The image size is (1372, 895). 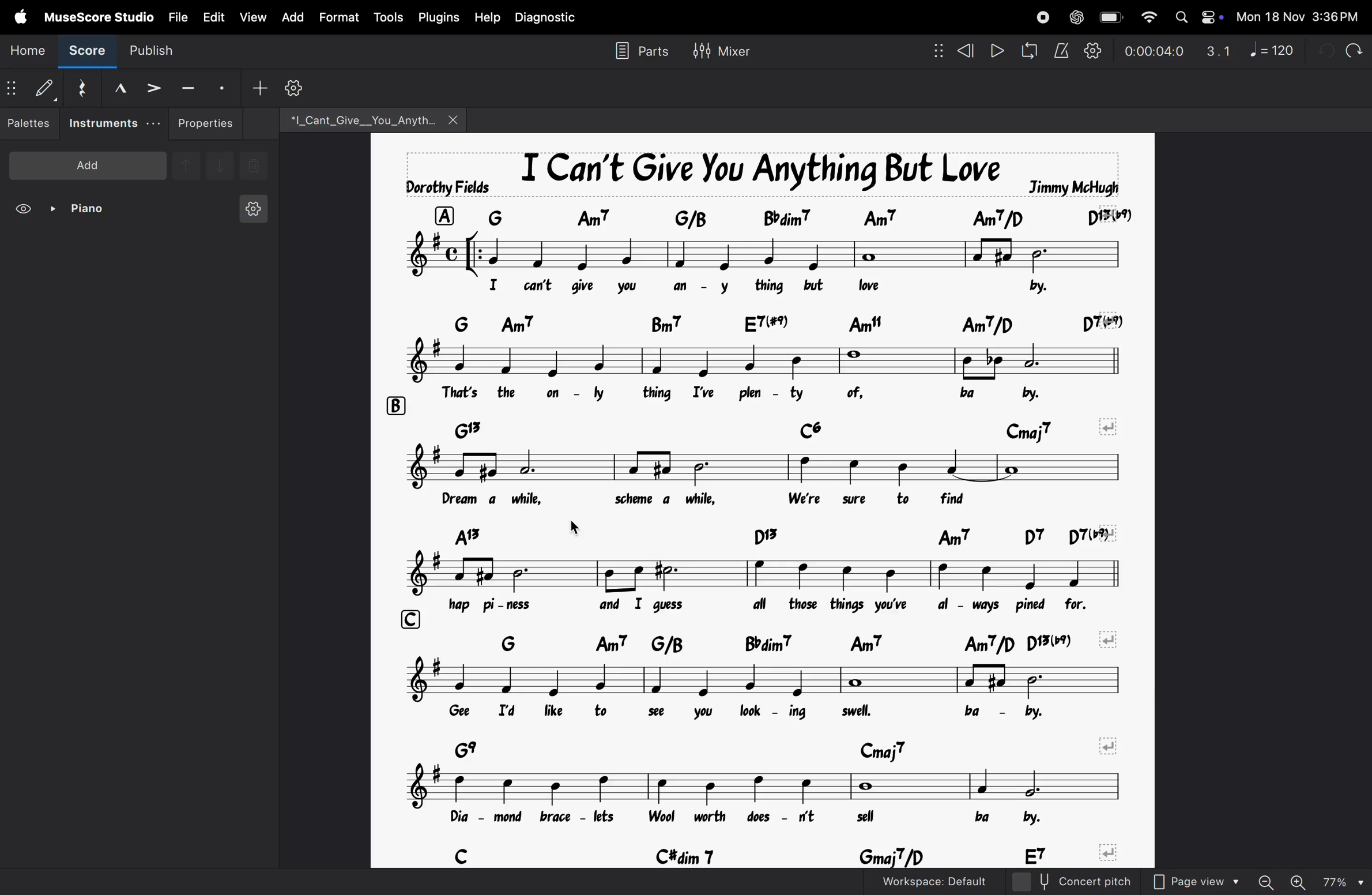 What do you see at coordinates (82, 52) in the screenshot?
I see `score` at bounding box center [82, 52].